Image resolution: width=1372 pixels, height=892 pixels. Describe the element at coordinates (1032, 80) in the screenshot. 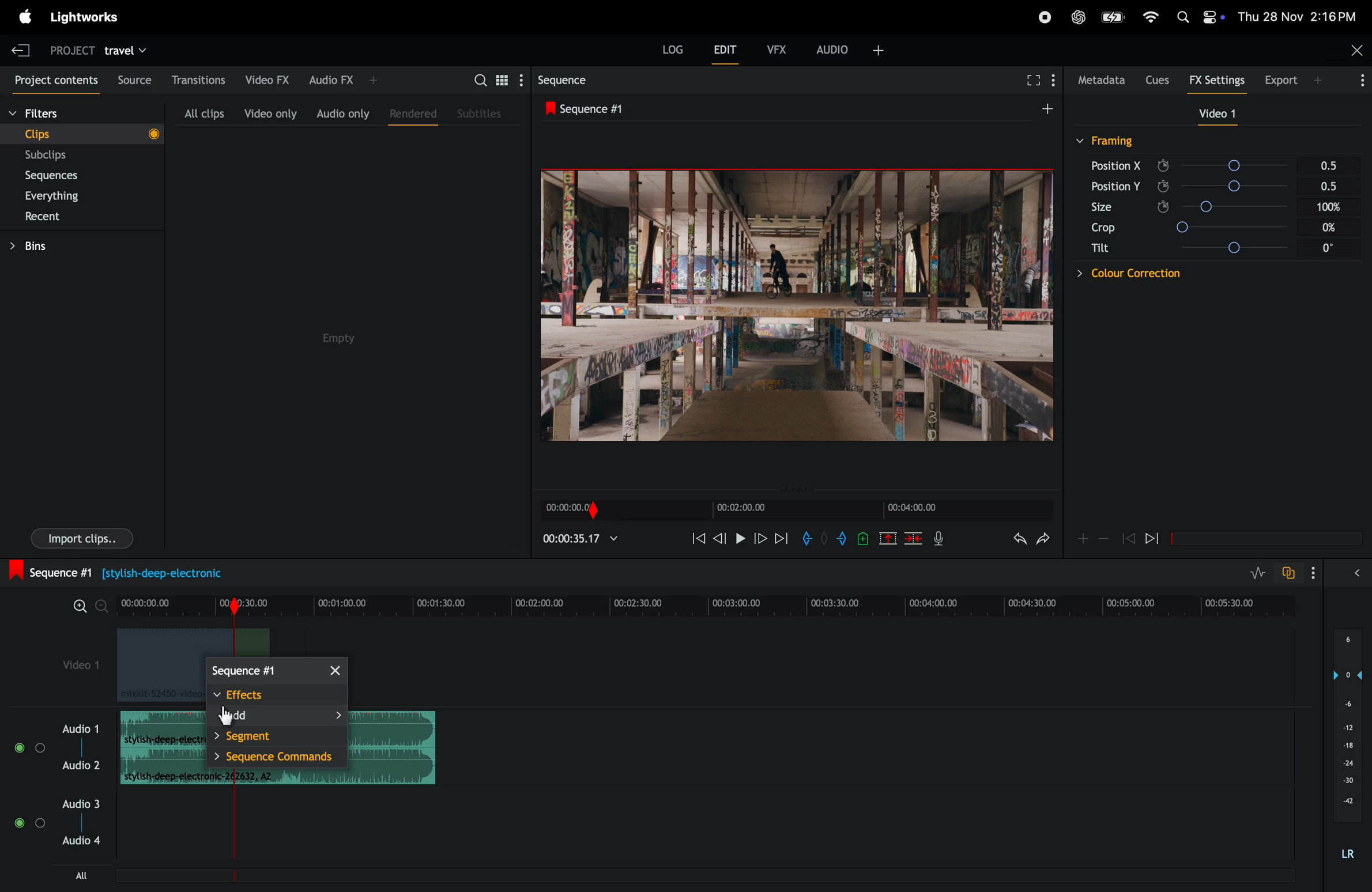

I see `fullscreen` at that location.